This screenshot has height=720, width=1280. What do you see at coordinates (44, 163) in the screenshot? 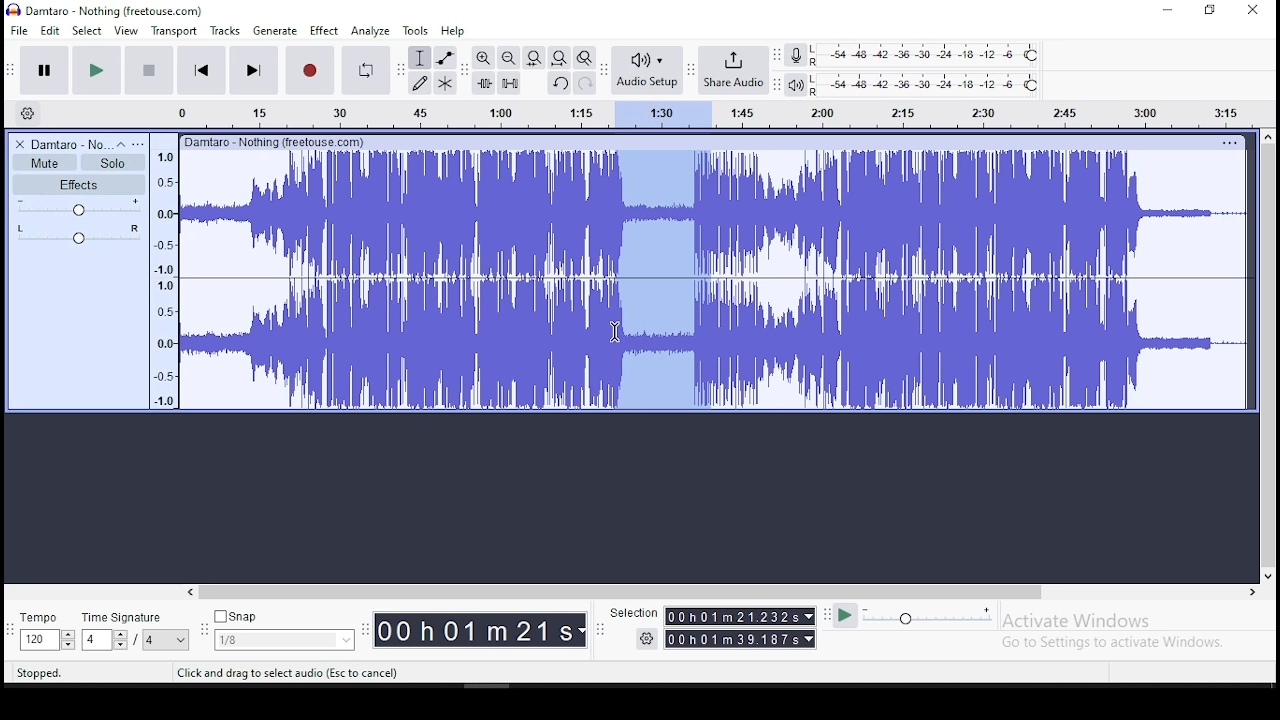
I see `mute` at bounding box center [44, 163].